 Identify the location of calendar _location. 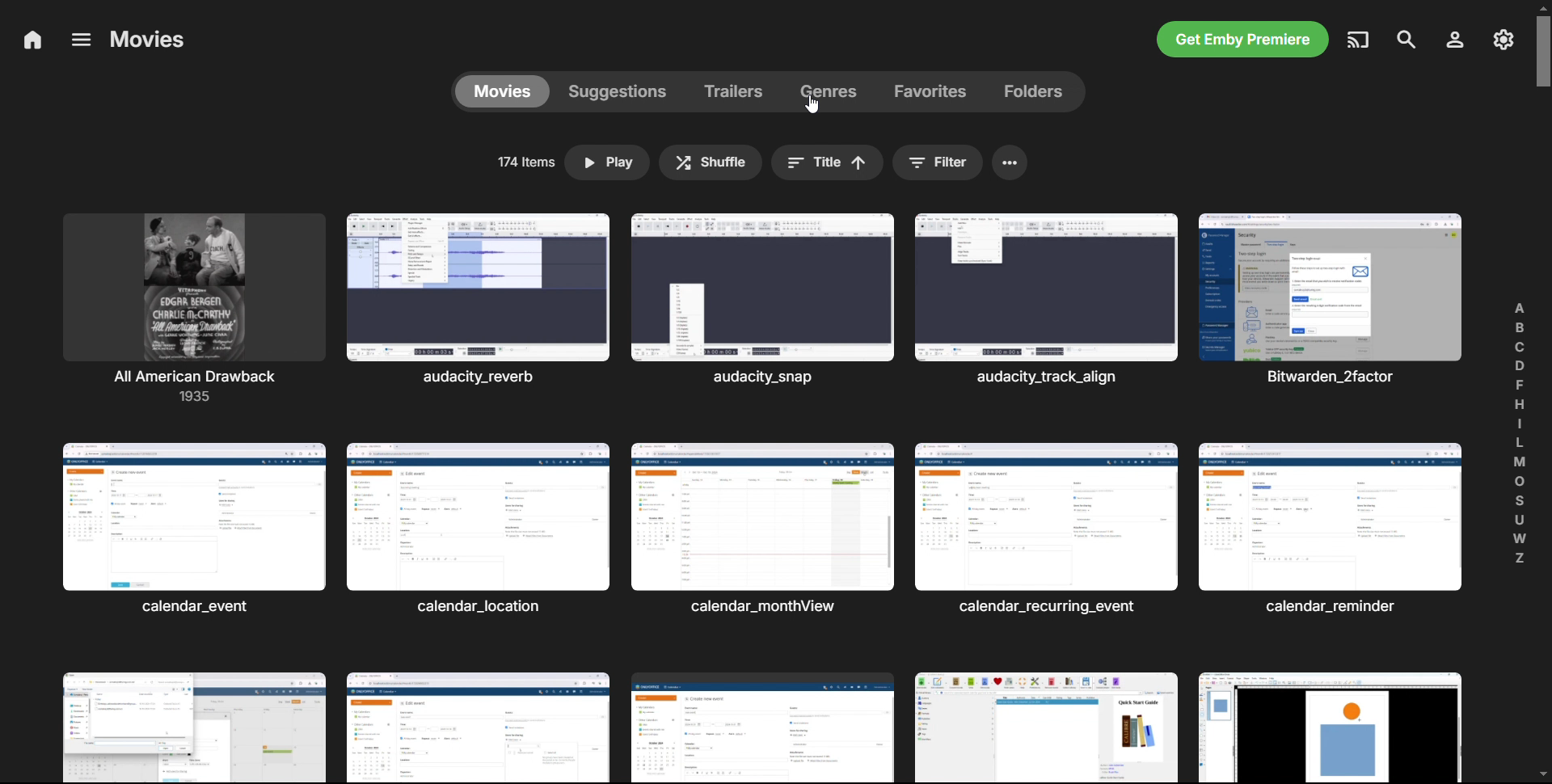
(481, 530).